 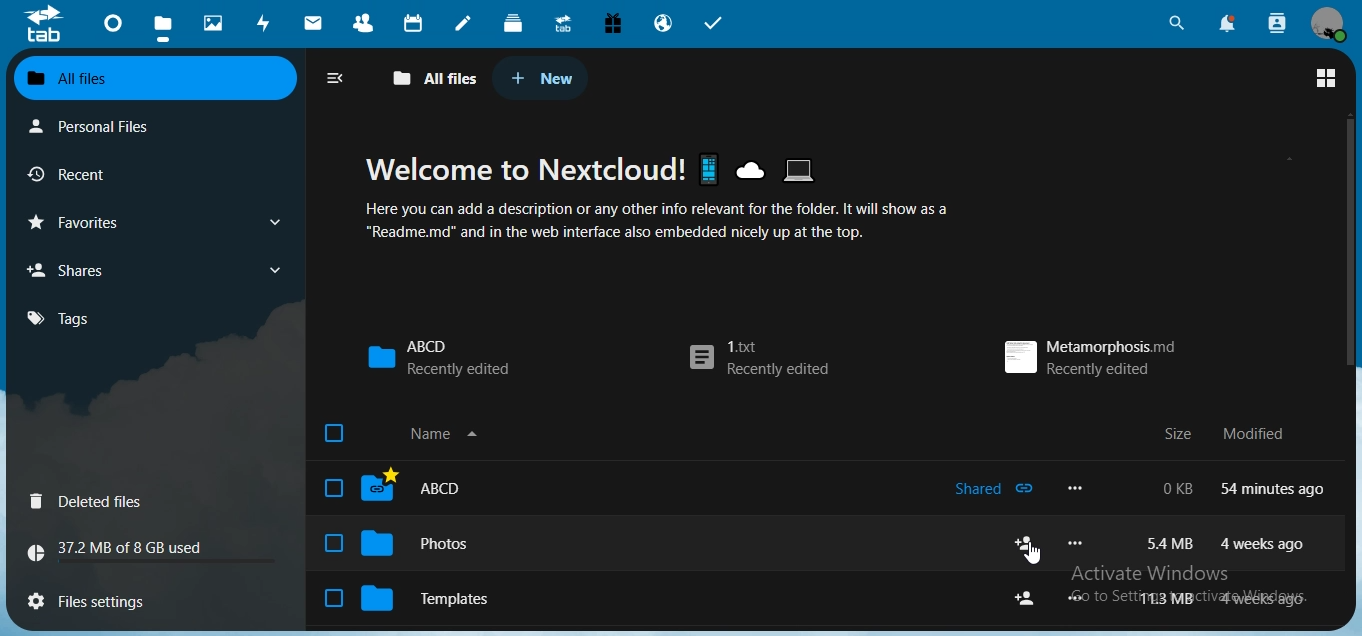 What do you see at coordinates (1083, 598) in the screenshot?
I see `more options` at bounding box center [1083, 598].